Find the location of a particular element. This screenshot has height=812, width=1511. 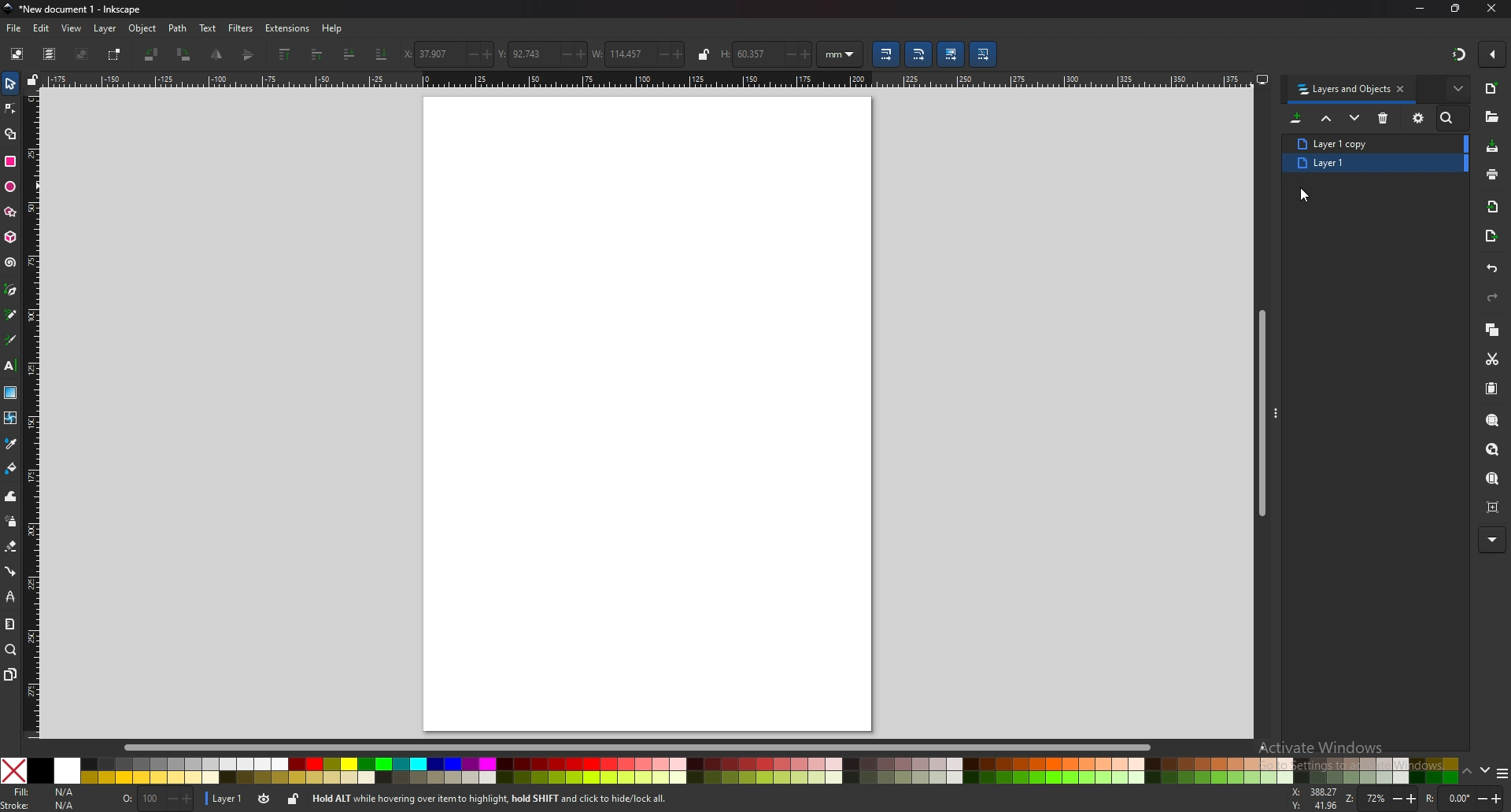

lower to bottom is located at coordinates (382, 54).